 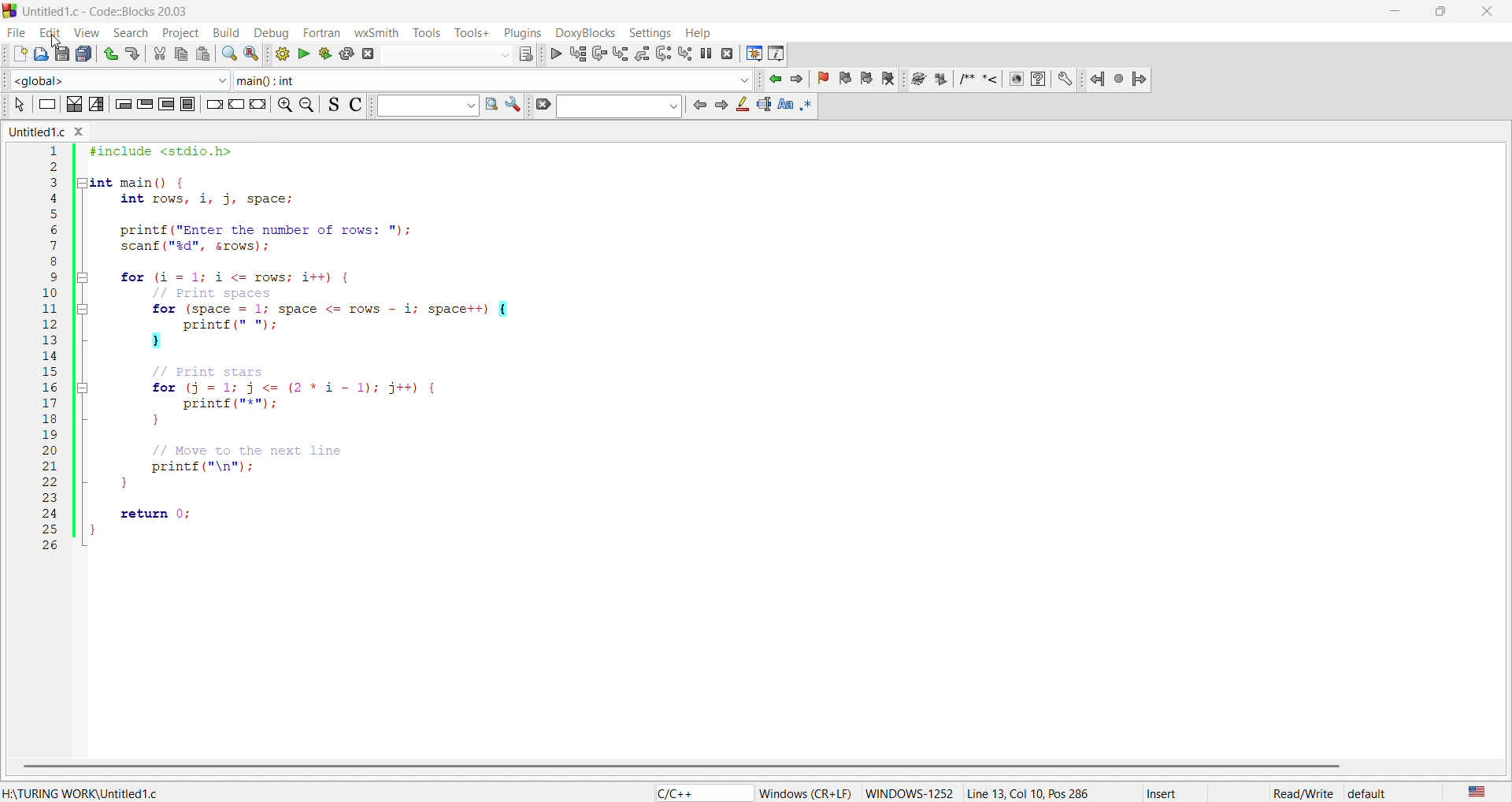 What do you see at coordinates (376, 31) in the screenshot?
I see `wxsmith` at bounding box center [376, 31].